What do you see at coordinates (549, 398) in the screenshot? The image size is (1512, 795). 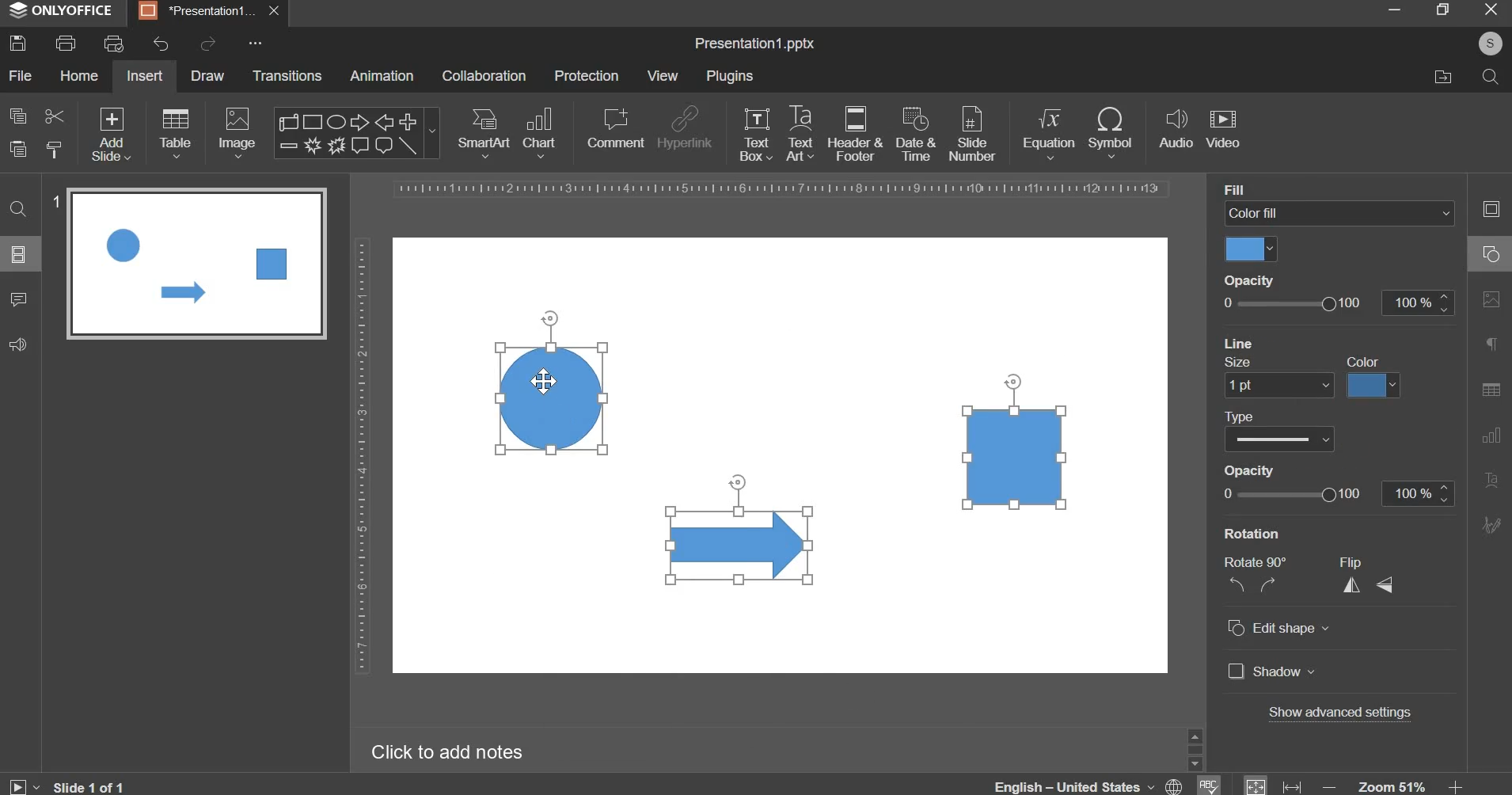 I see `circle` at bounding box center [549, 398].